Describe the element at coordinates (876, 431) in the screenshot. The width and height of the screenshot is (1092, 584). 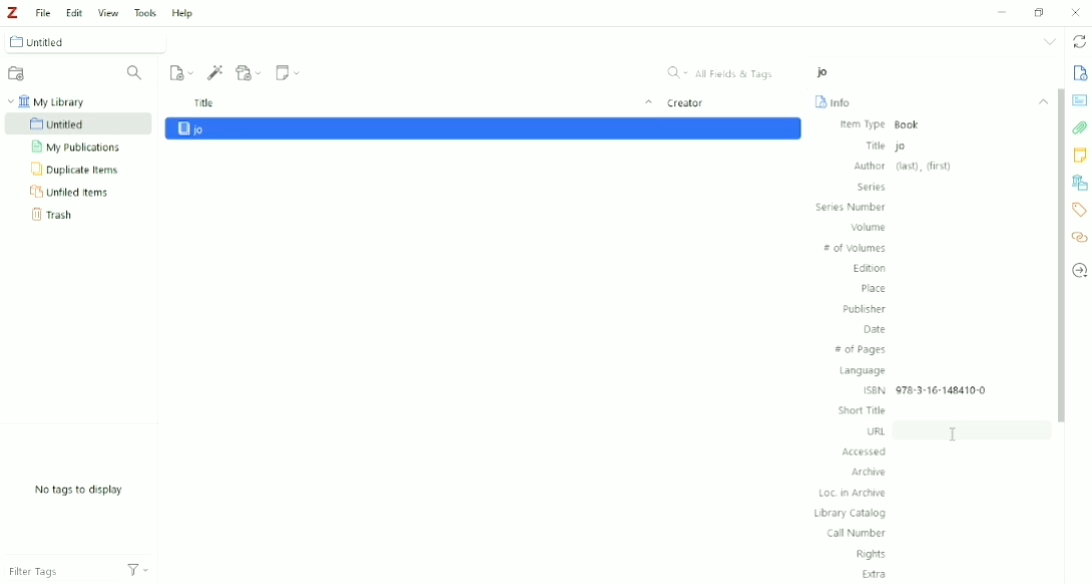
I see `URL` at that location.